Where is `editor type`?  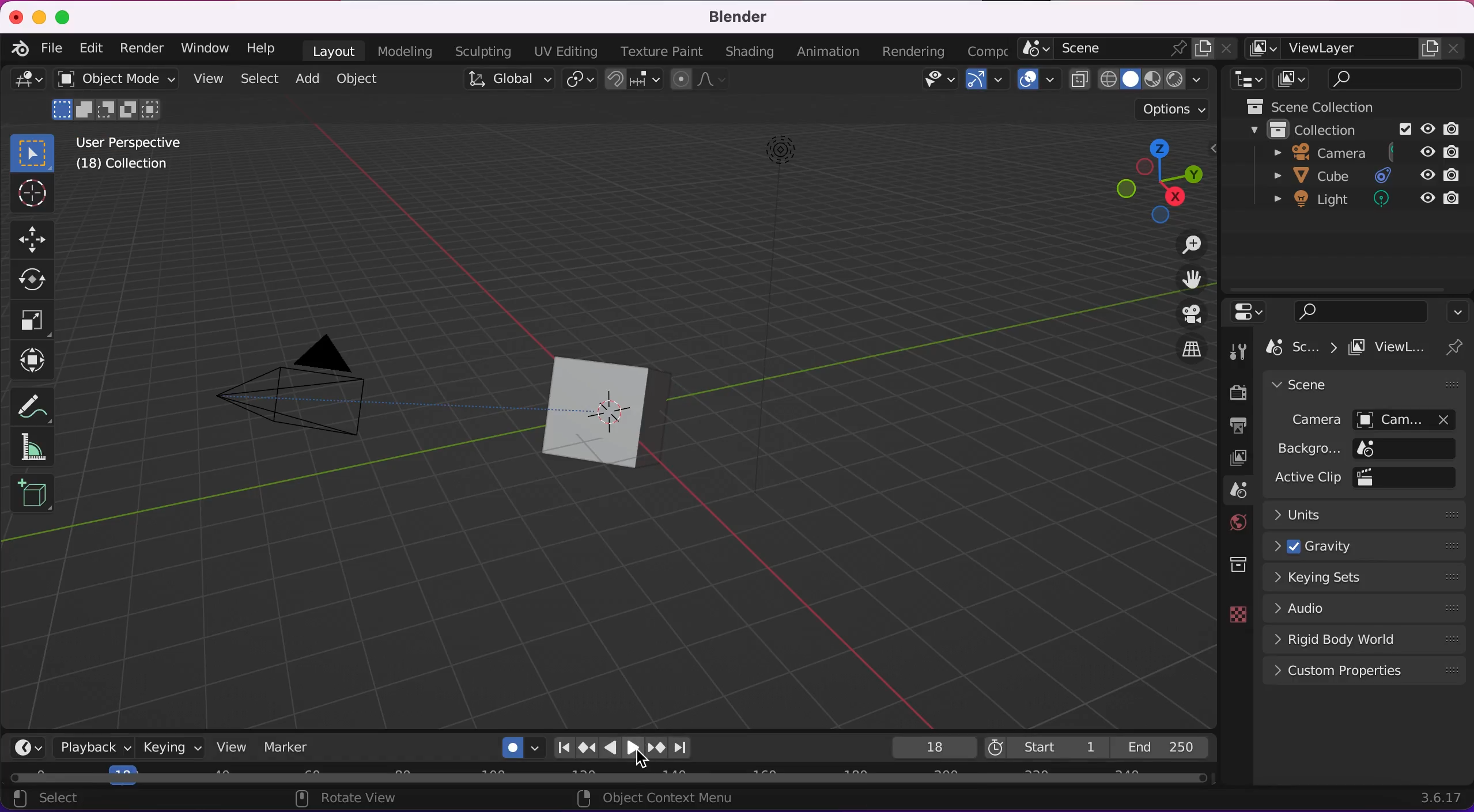 editor type is located at coordinates (24, 86).